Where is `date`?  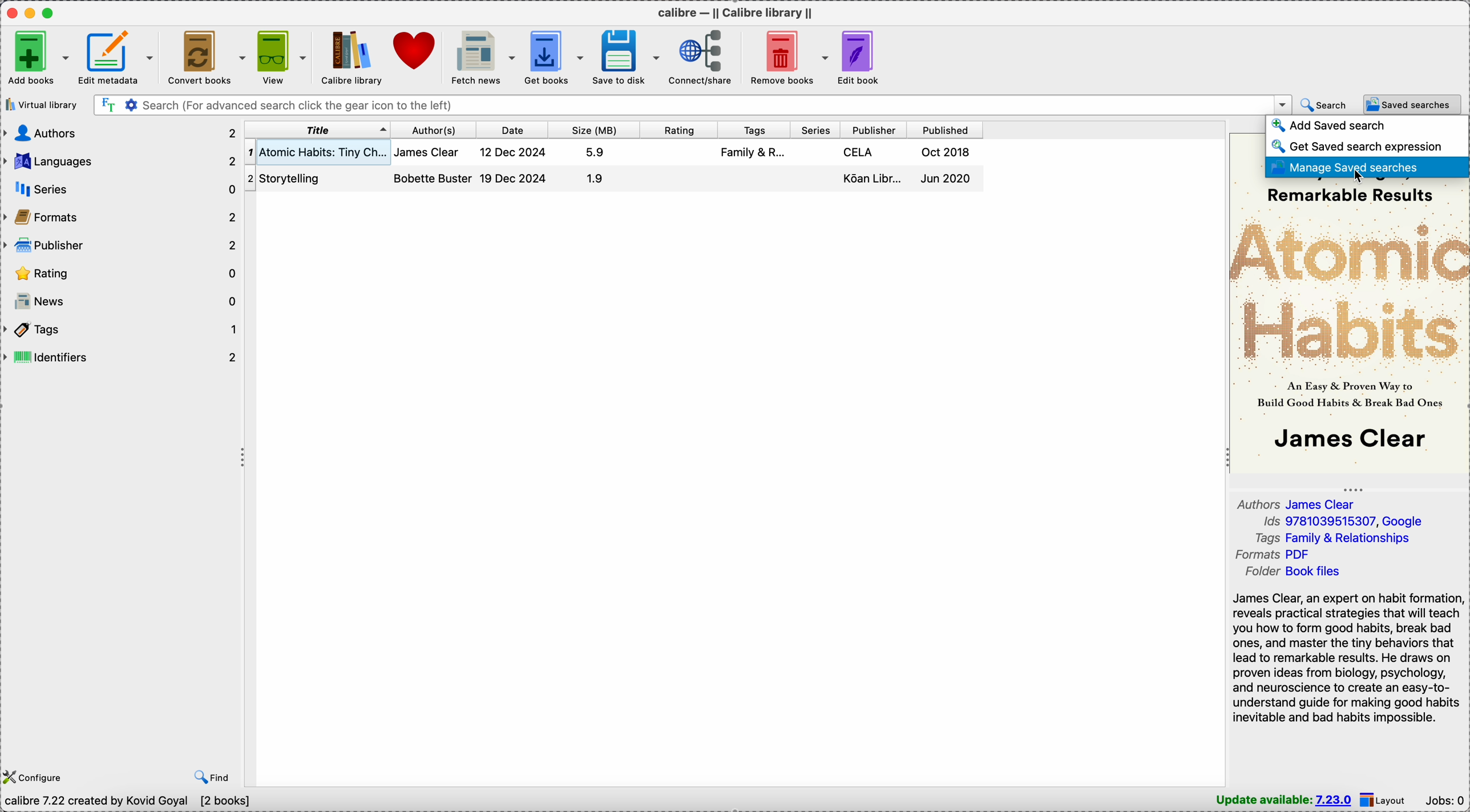 date is located at coordinates (516, 165).